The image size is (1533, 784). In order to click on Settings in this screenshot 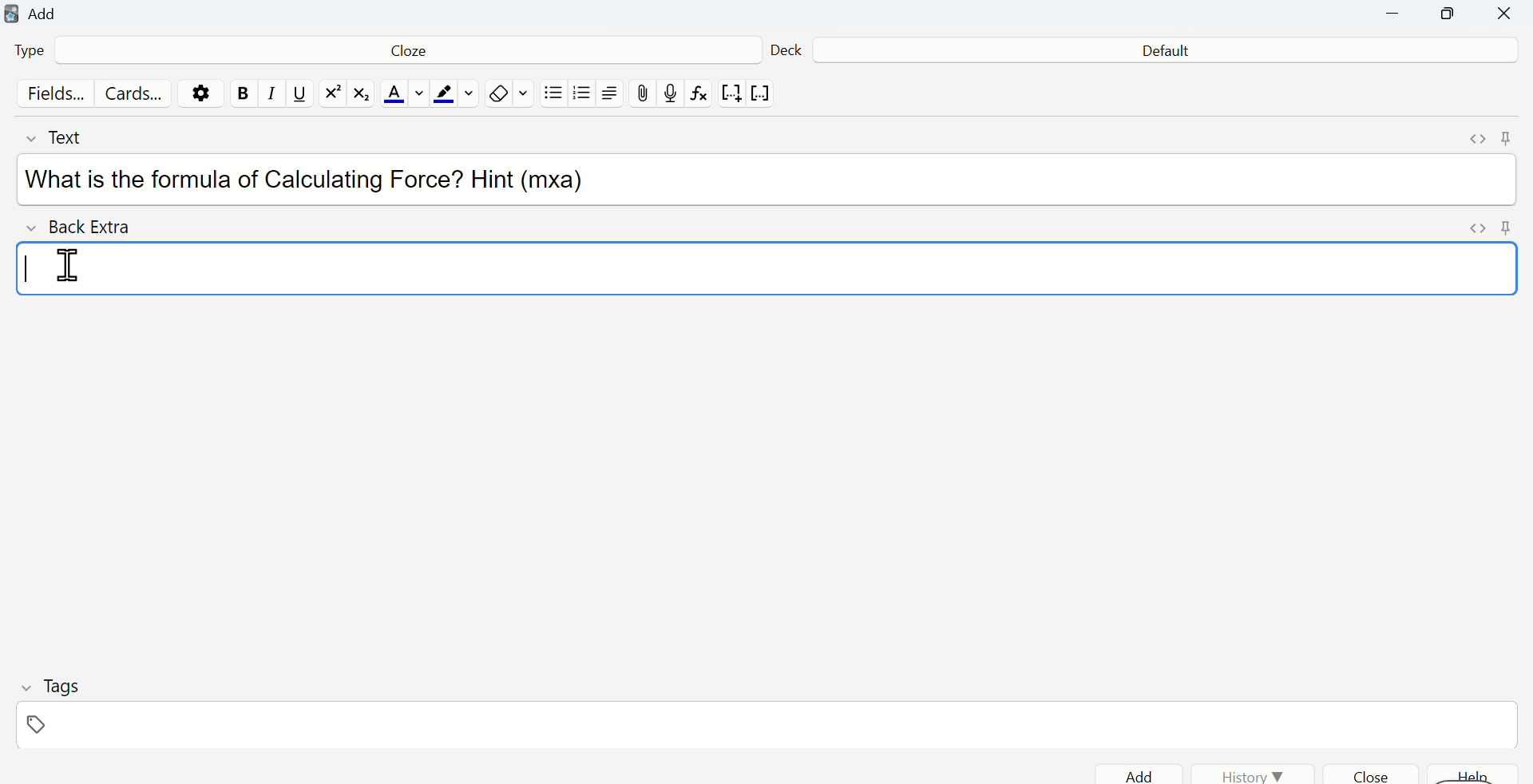, I will do `click(204, 93)`.